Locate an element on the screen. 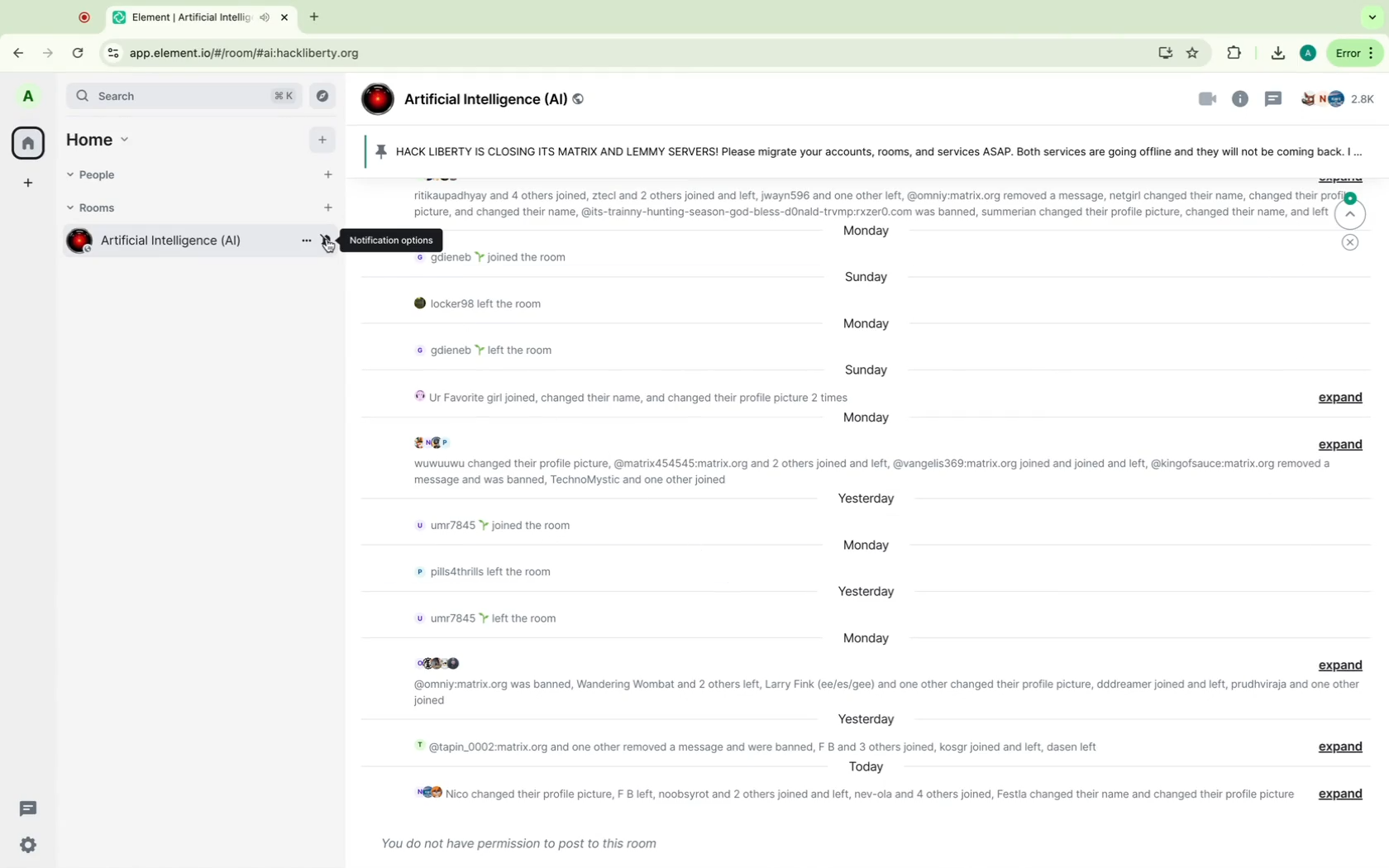  videocalls is located at coordinates (1199, 101).